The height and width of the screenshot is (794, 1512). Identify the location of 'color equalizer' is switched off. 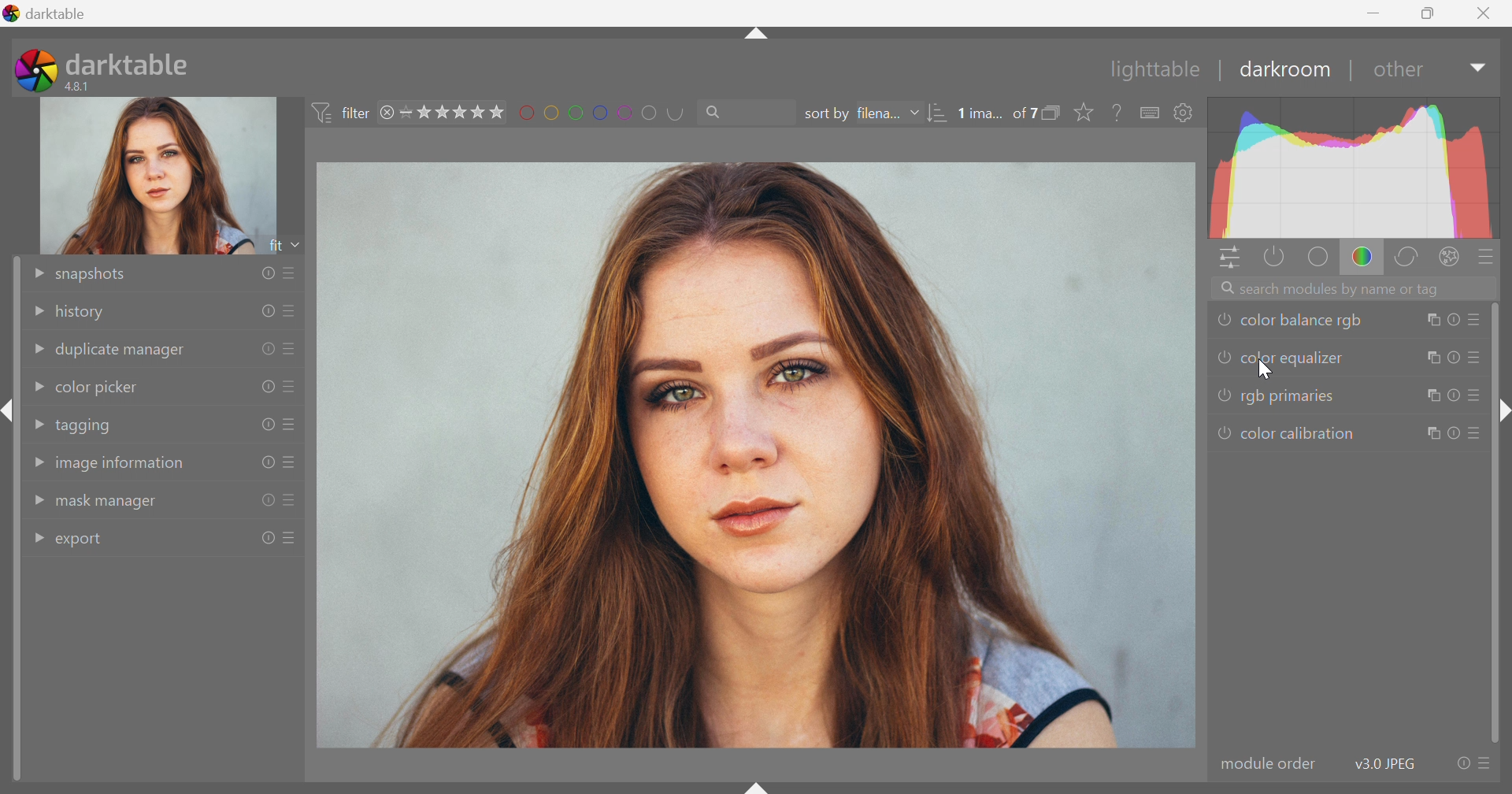
(1223, 358).